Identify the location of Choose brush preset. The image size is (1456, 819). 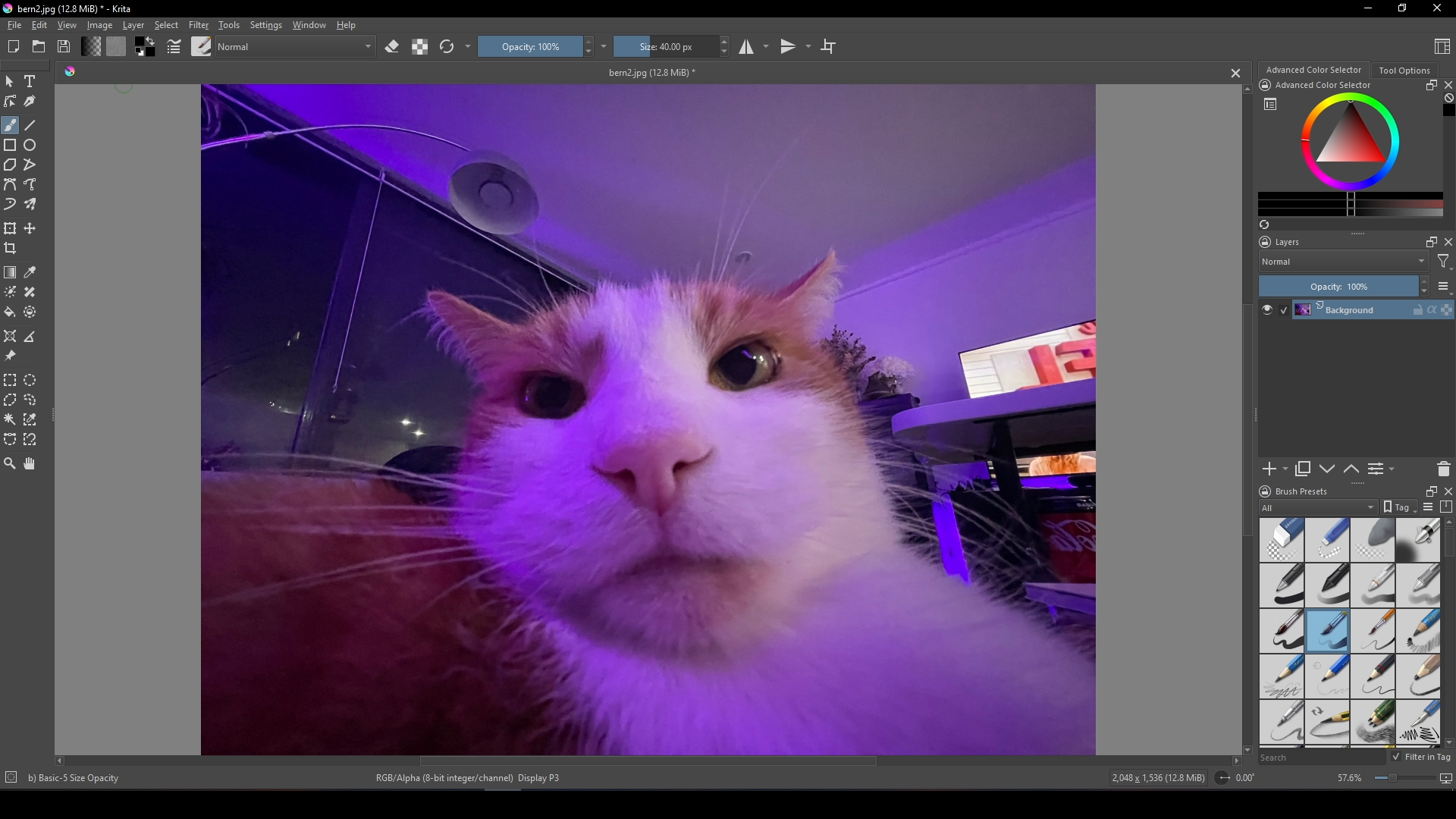
(202, 45).